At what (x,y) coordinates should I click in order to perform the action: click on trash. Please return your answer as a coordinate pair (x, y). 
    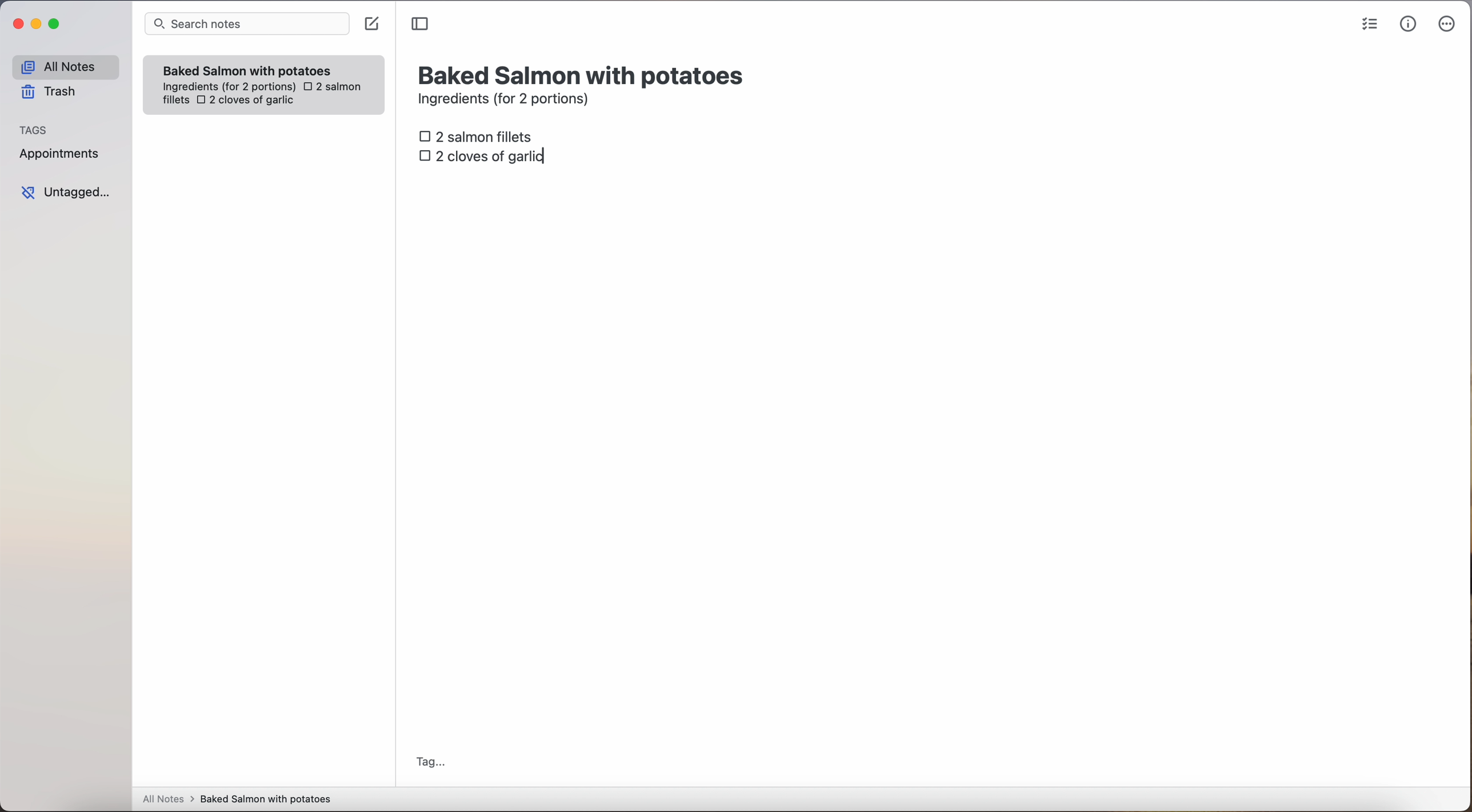
    Looking at the image, I should click on (53, 92).